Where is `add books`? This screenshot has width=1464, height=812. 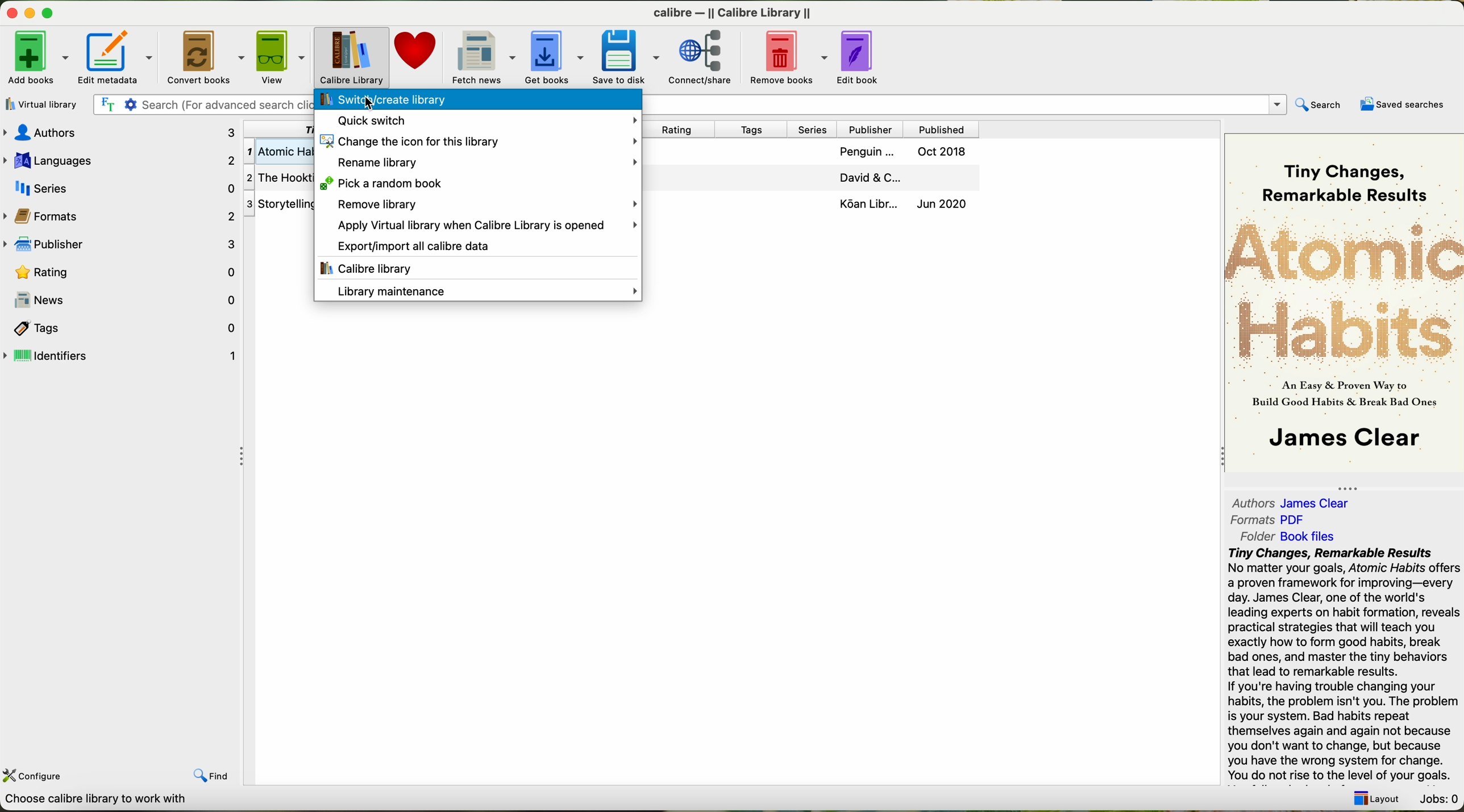
add books is located at coordinates (36, 56).